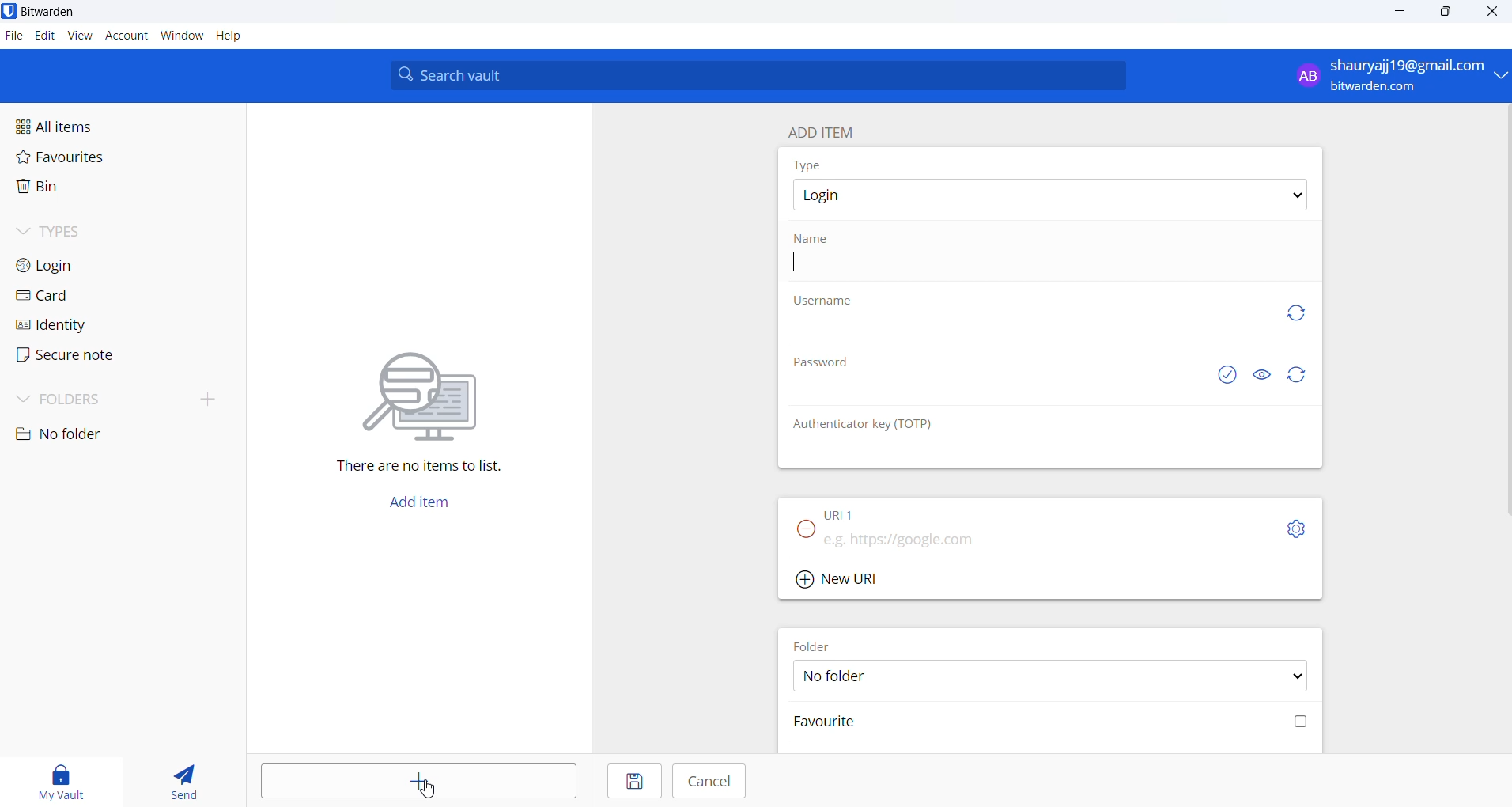 Image resolution: width=1512 pixels, height=807 pixels. What do you see at coordinates (1227, 375) in the screenshot?
I see `check if password is exposed ` at bounding box center [1227, 375].